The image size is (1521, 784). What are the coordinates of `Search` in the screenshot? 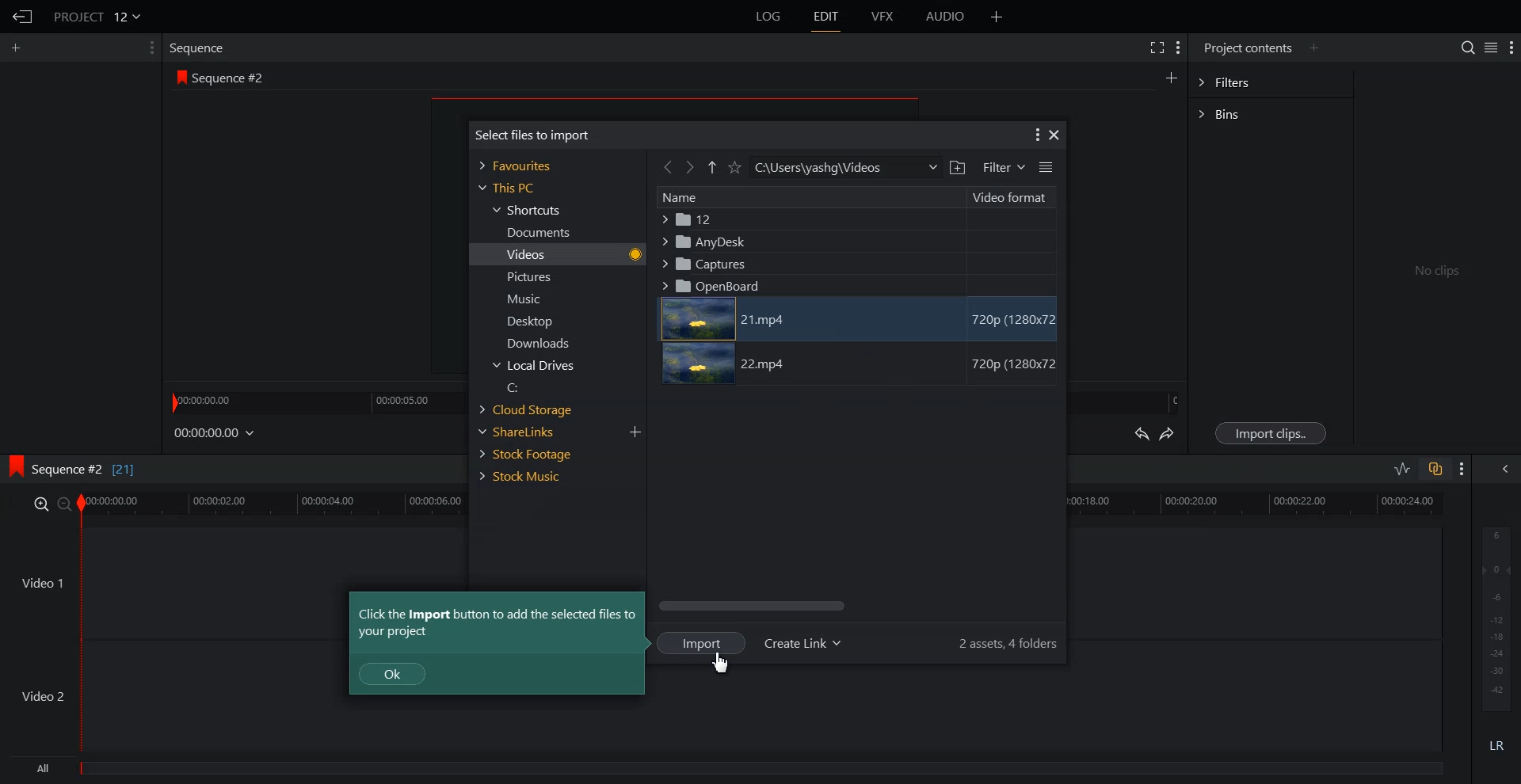 It's located at (1461, 46).